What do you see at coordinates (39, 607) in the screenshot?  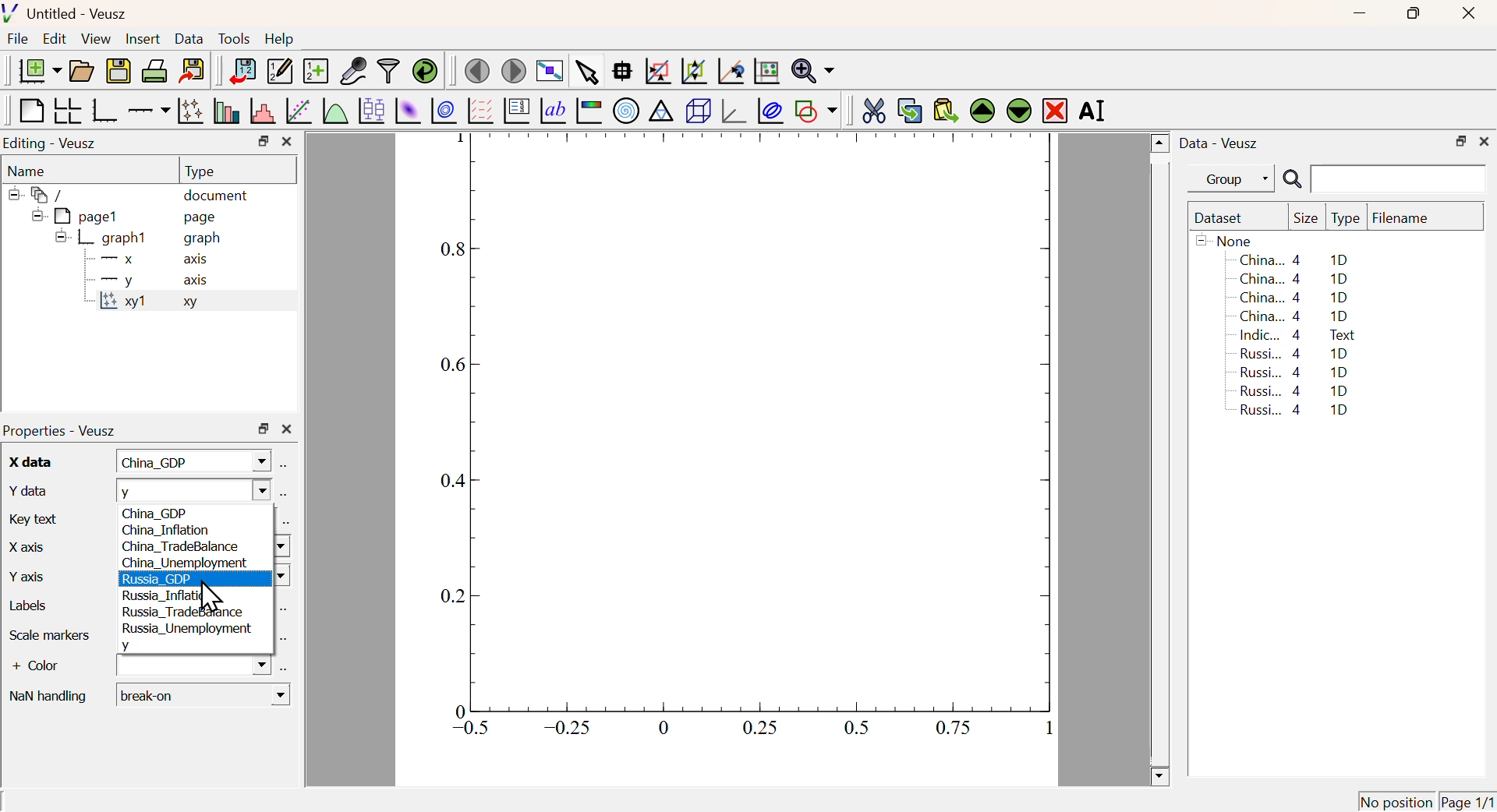 I see `Labels` at bounding box center [39, 607].